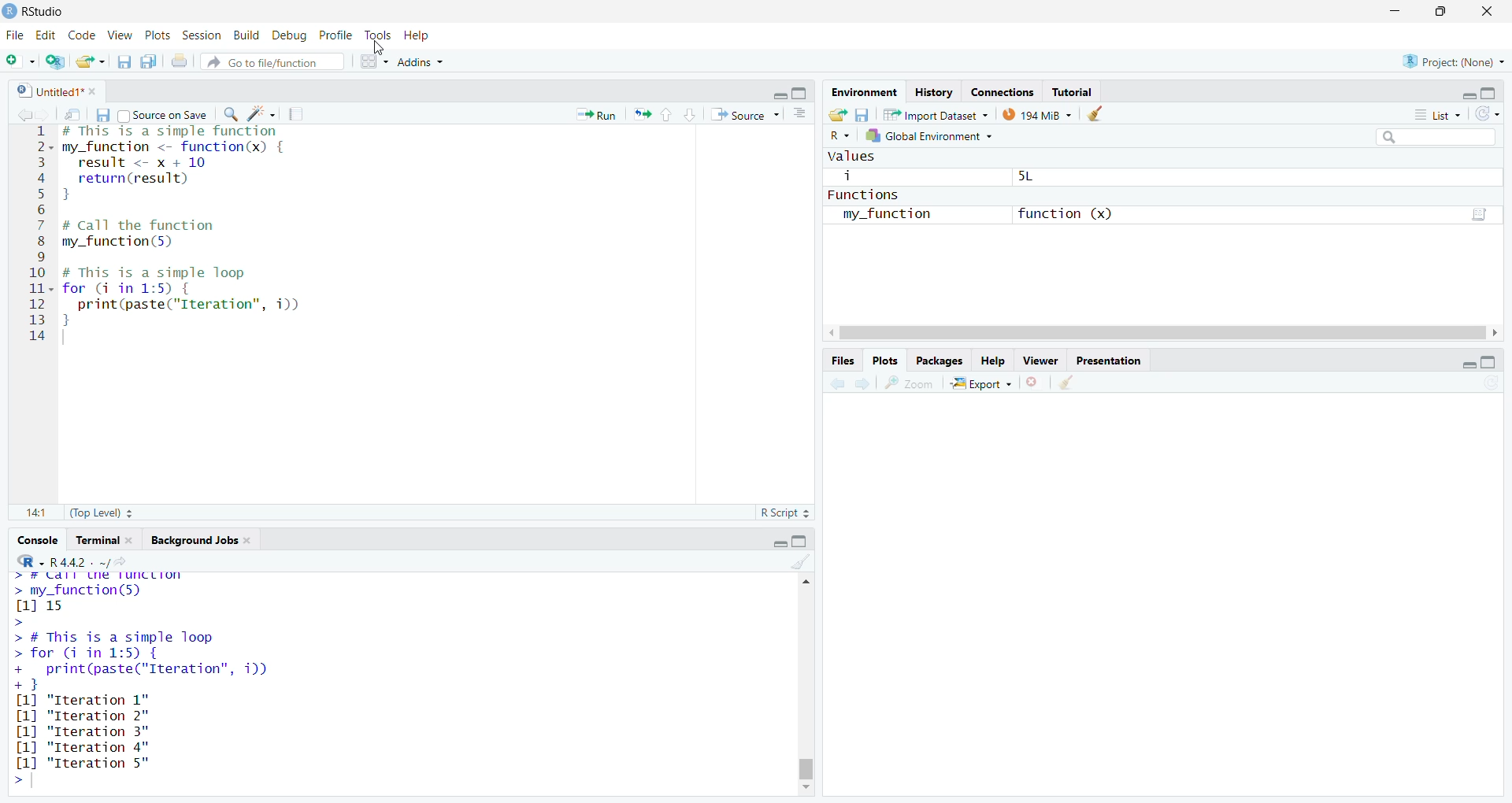 This screenshot has height=803, width=1512. What do you see at coordinates (181, 61) in the screenshot?
I see `print the current file` at bounding box center [181, 61].